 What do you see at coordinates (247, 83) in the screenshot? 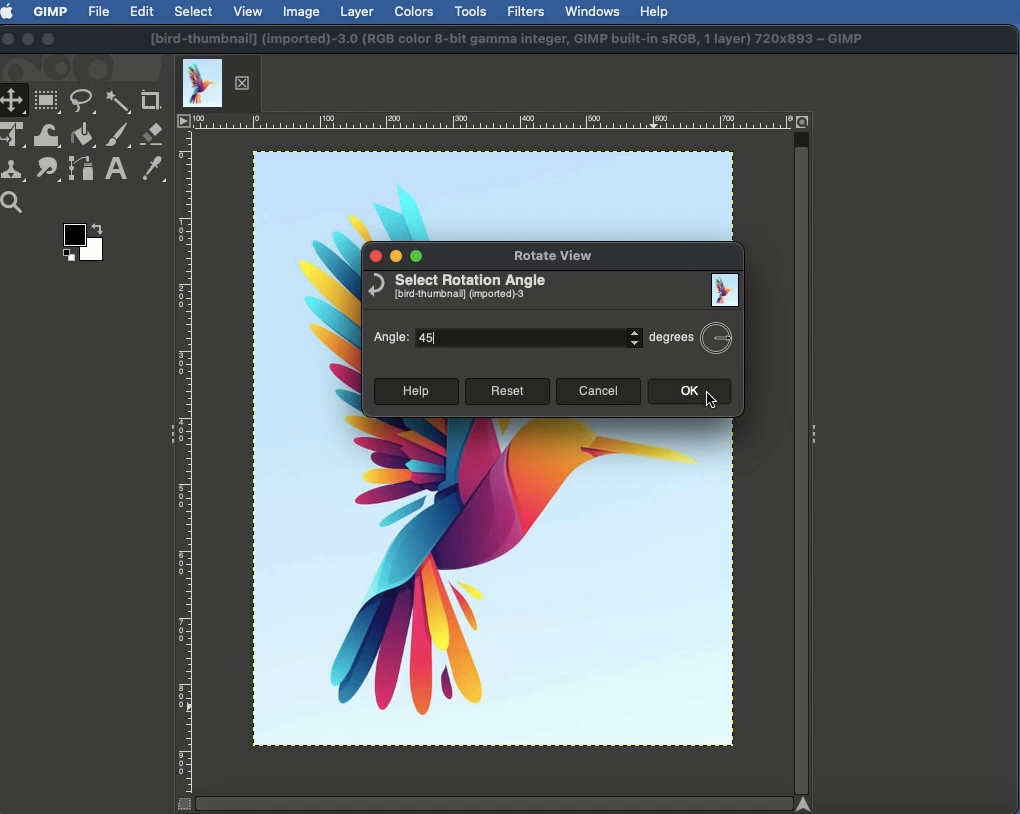
I see `close current tab` at bounding box center [247, 83].